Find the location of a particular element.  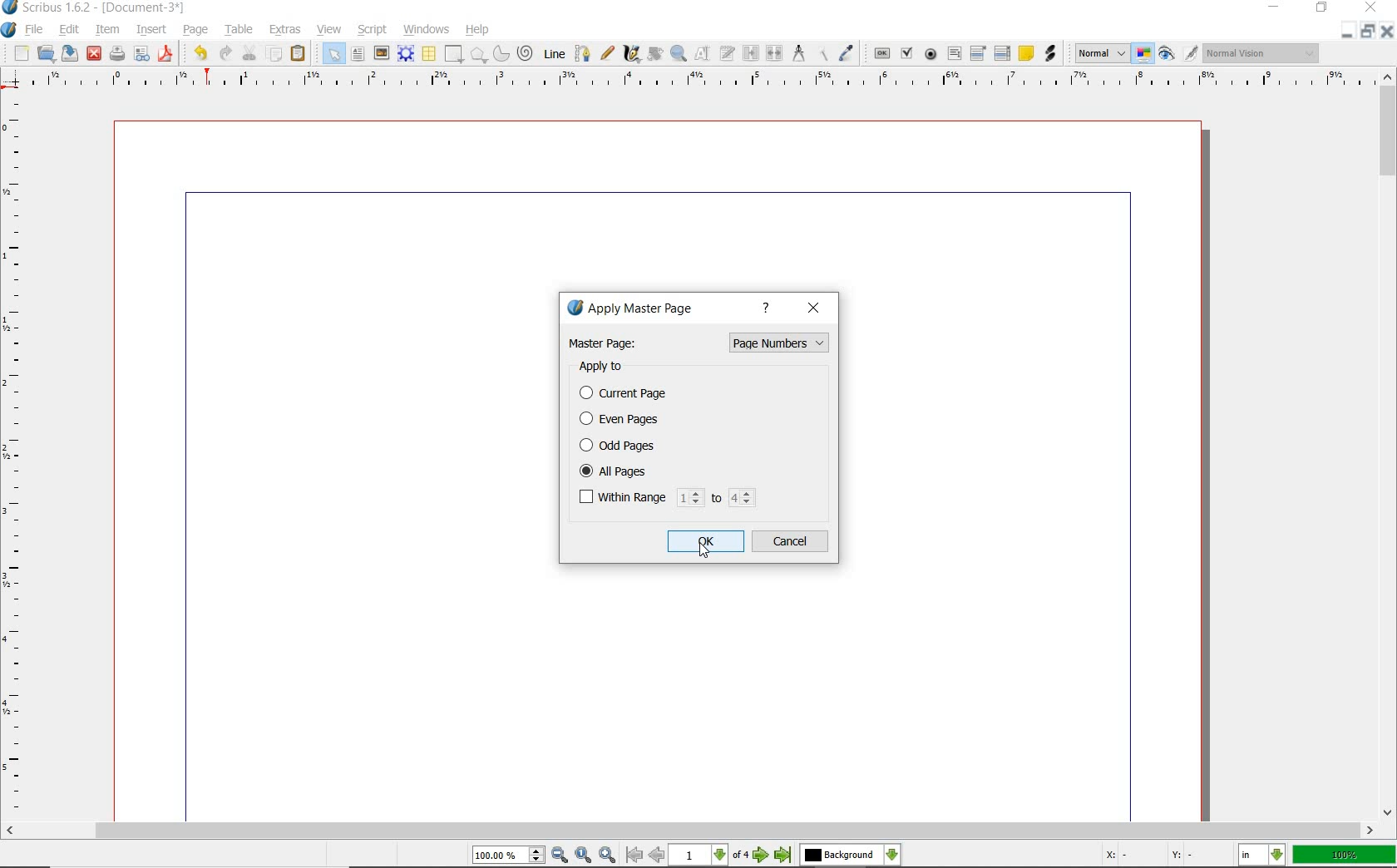

Next Page is located at coordinates (762, 856).